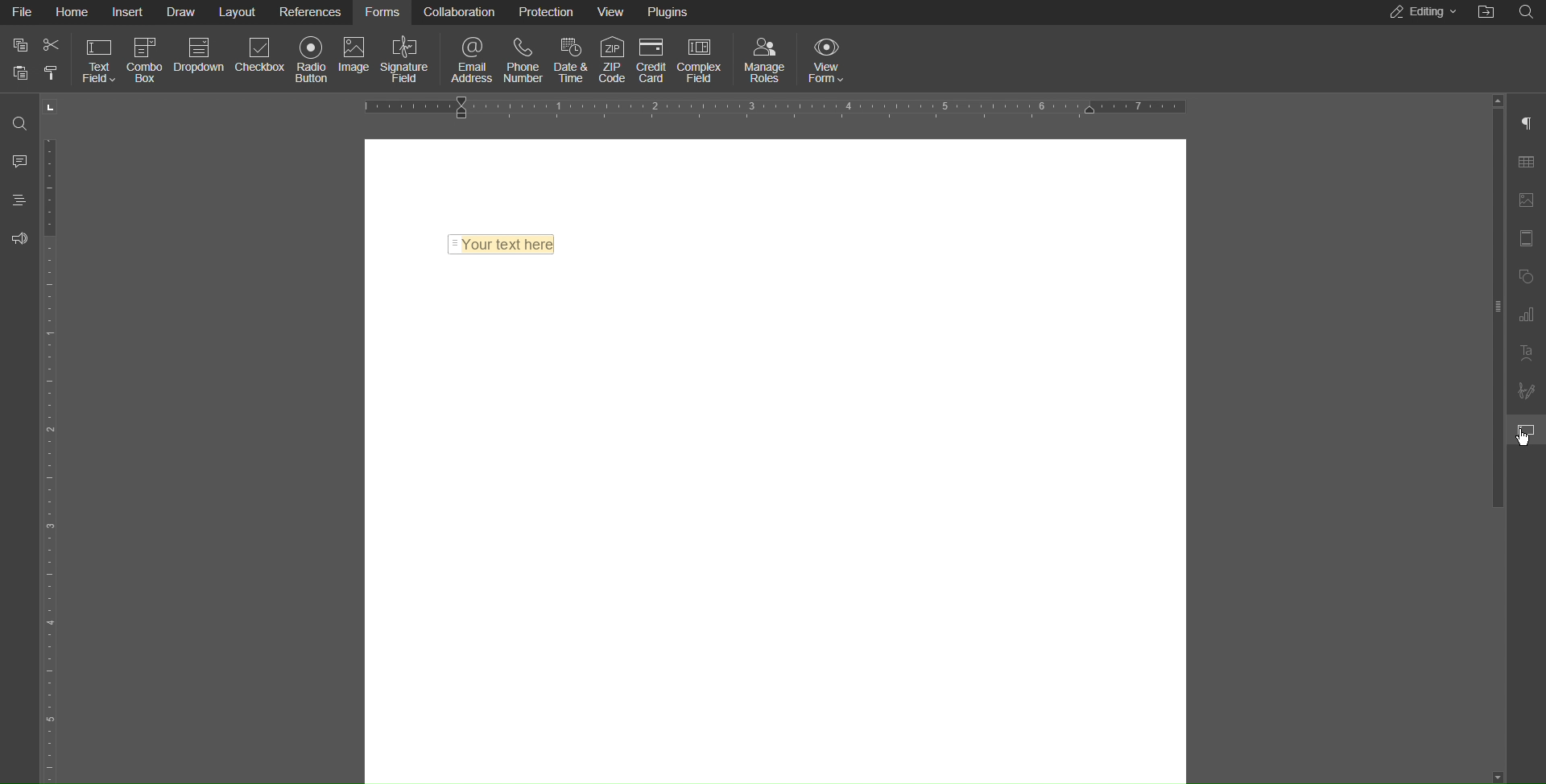 This screenshot has height=784, width=1546. I want to click on Signature Field, so click(408, 60).